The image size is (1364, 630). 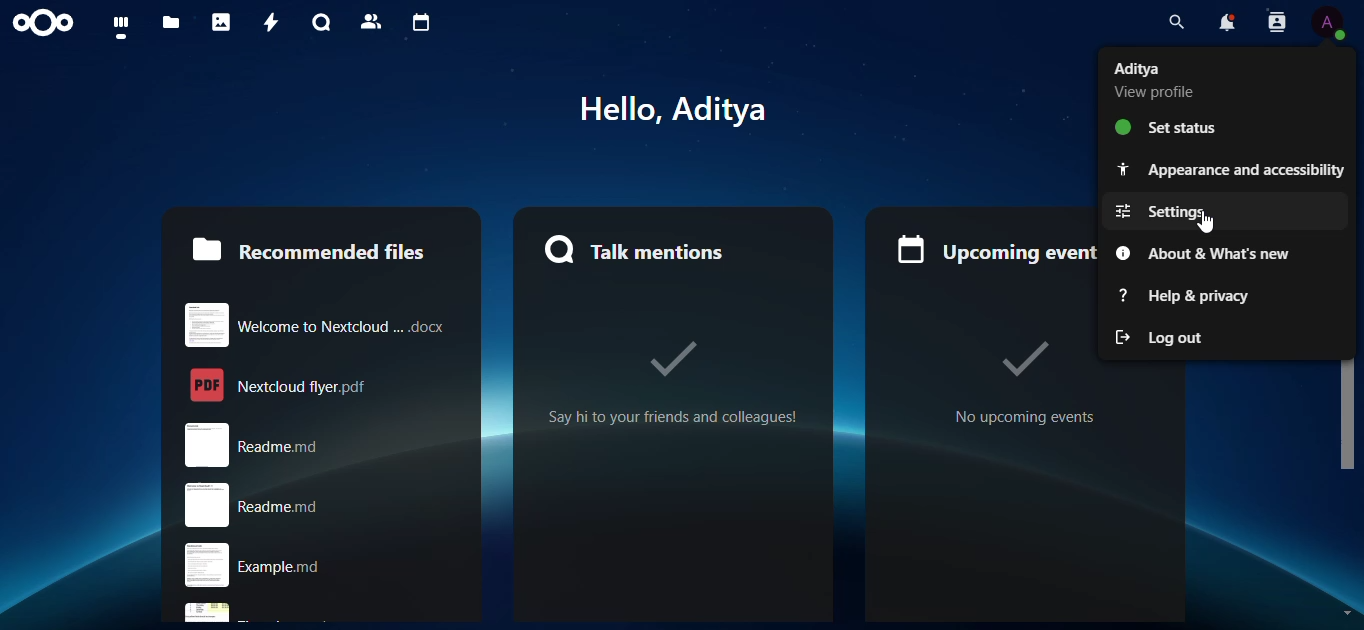 What do you see at coordinates (640, 249) in the screenshot?
I see `talk mentions` at bounding box center [640, 249].